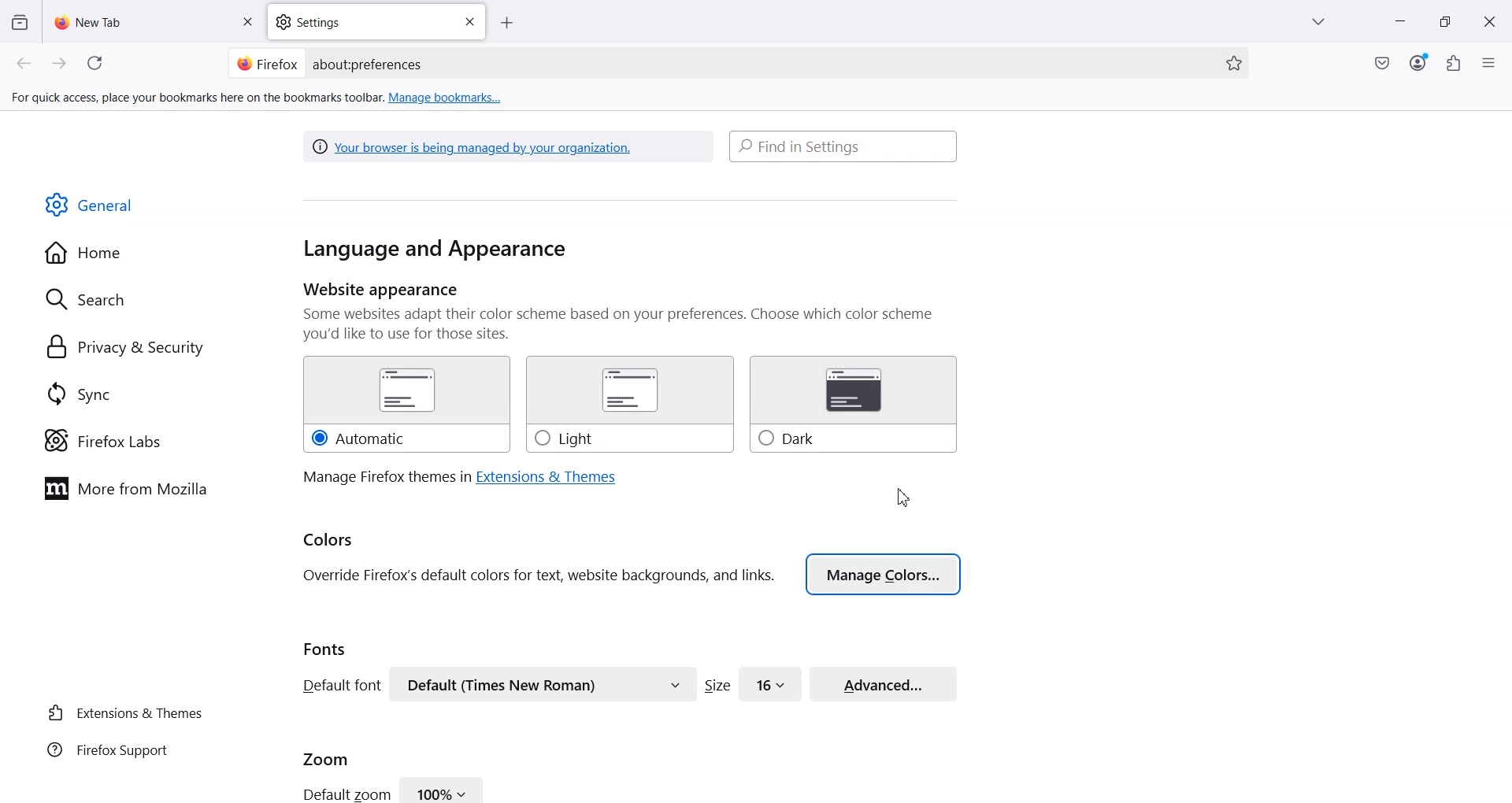 The width and height of the screenshot is (1512, 803). What do you see at coordinates (628, 405) in the screenshot?
I see `O Light` at bounding box center [628, 405].